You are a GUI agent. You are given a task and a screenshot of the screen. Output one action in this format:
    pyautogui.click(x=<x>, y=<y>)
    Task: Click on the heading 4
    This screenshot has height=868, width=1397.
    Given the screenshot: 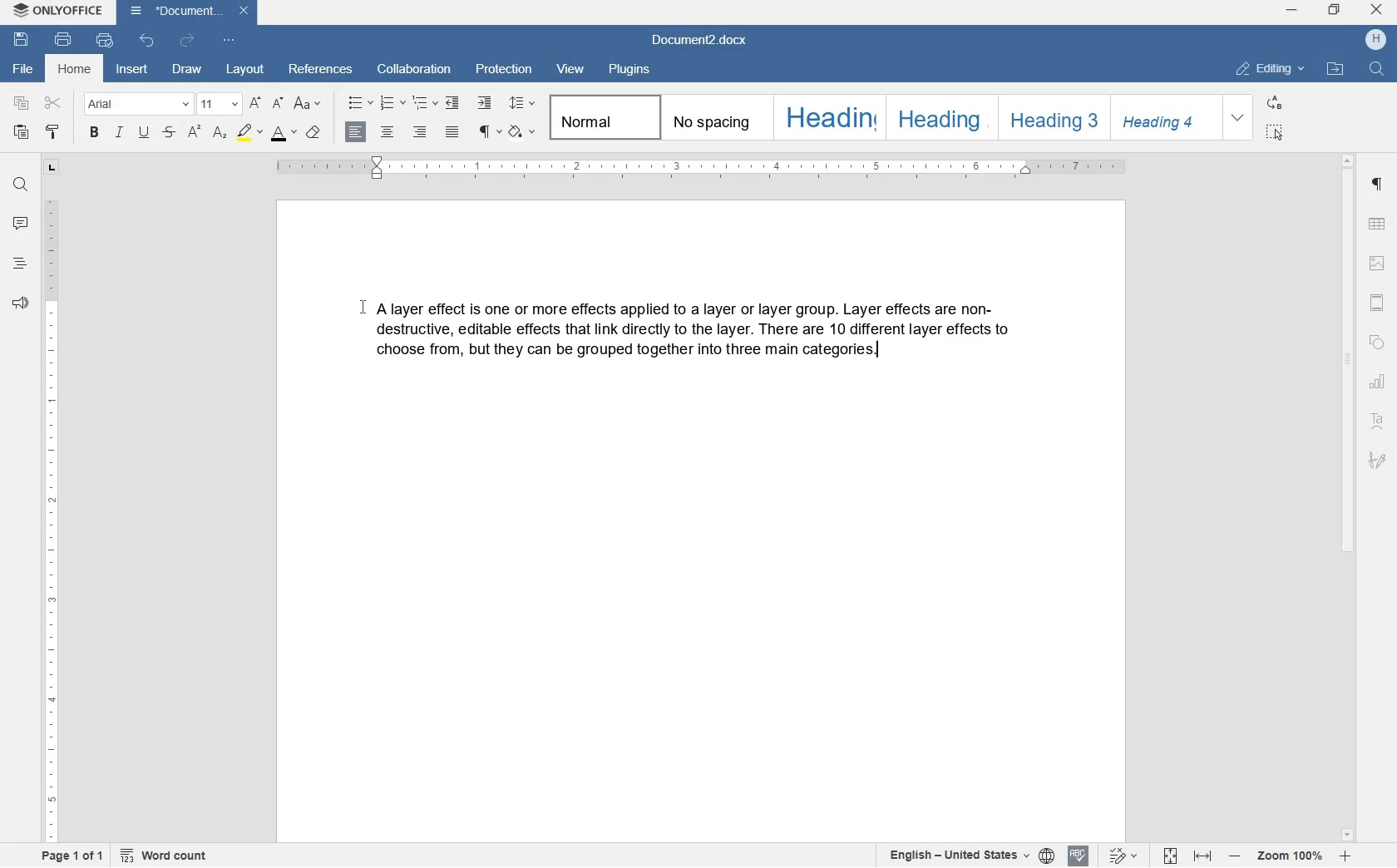 What is the action you would take?
    pyautogui.click(x=1166, y=118)
    